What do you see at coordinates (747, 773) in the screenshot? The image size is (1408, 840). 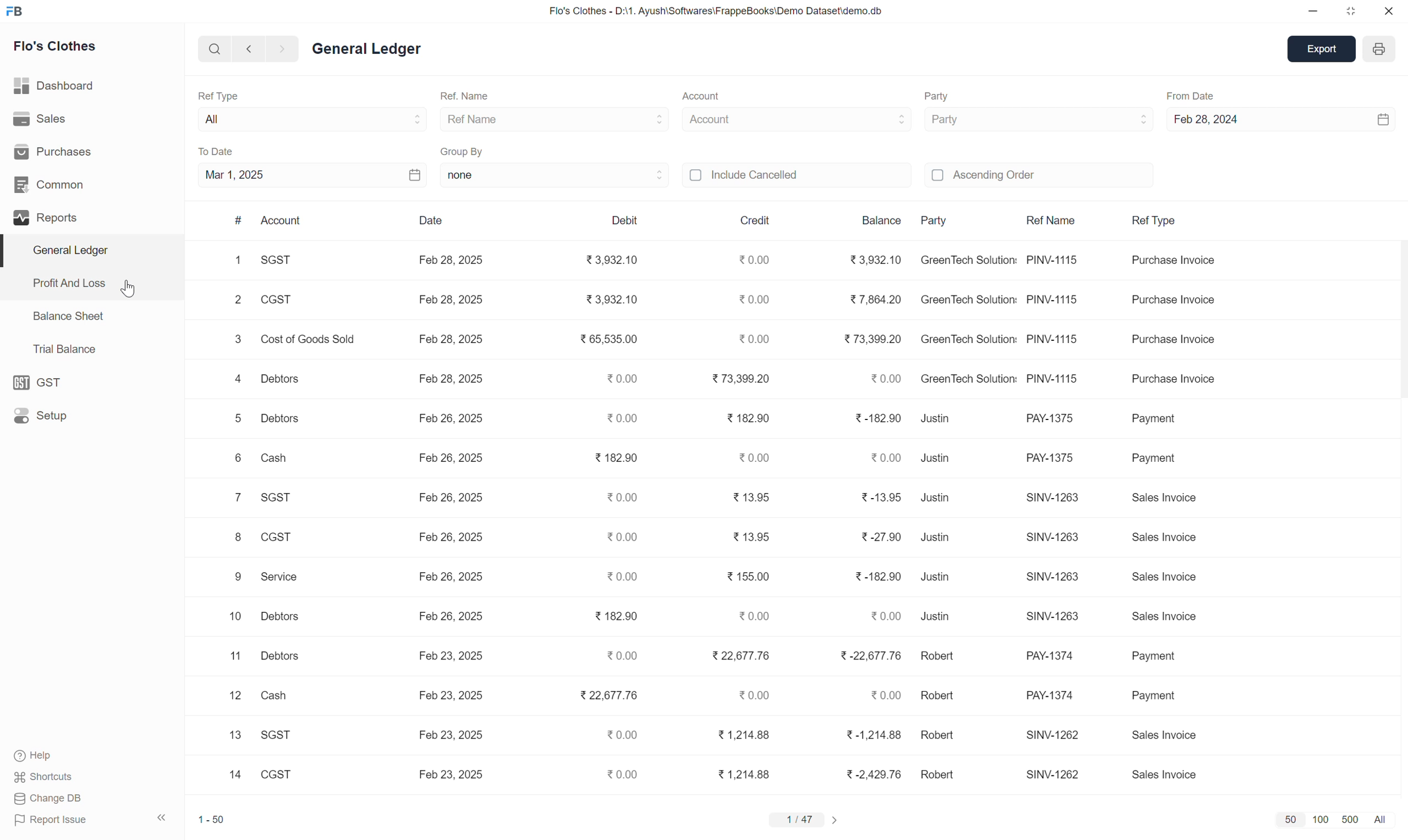 I see `₹1,214.88` at bounding box center [747, 773].